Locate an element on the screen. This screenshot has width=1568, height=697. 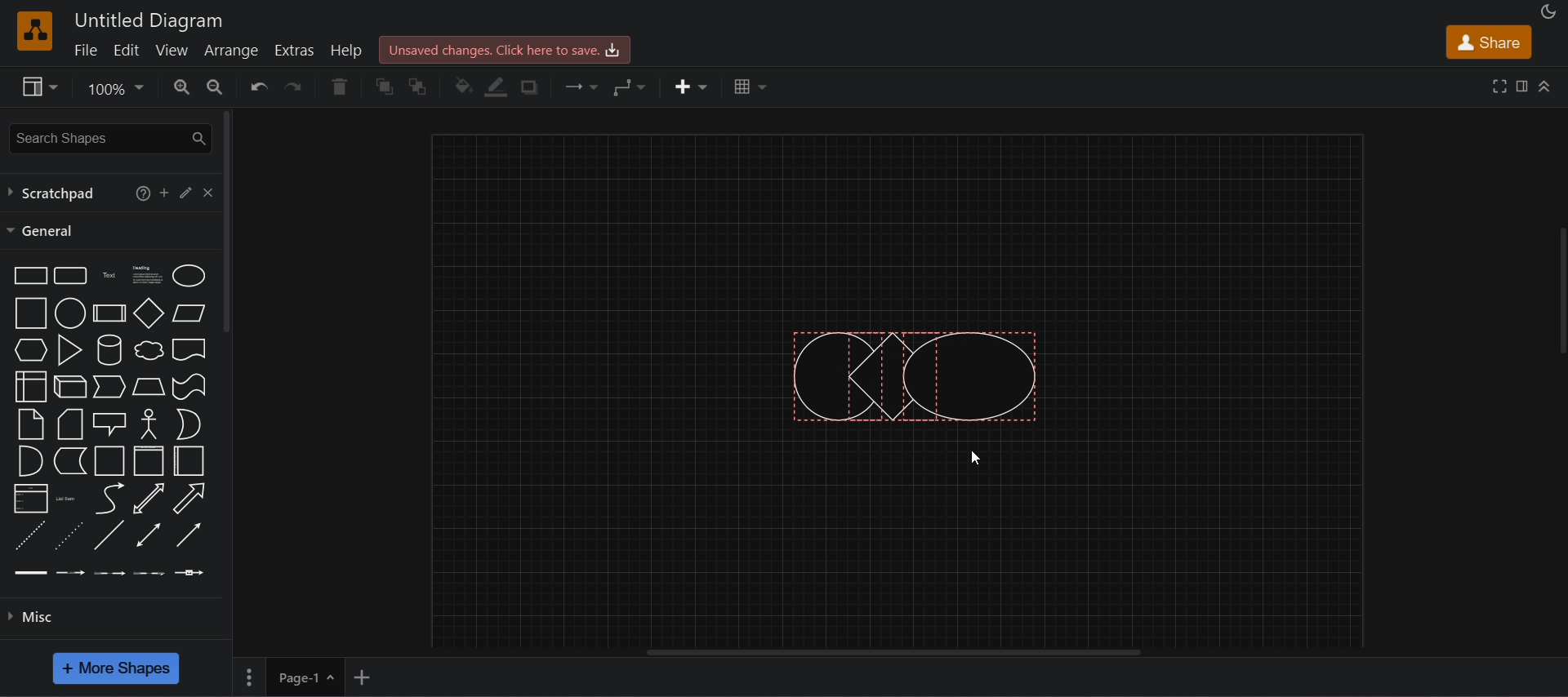
shadows is located at coordinates (528, 87).